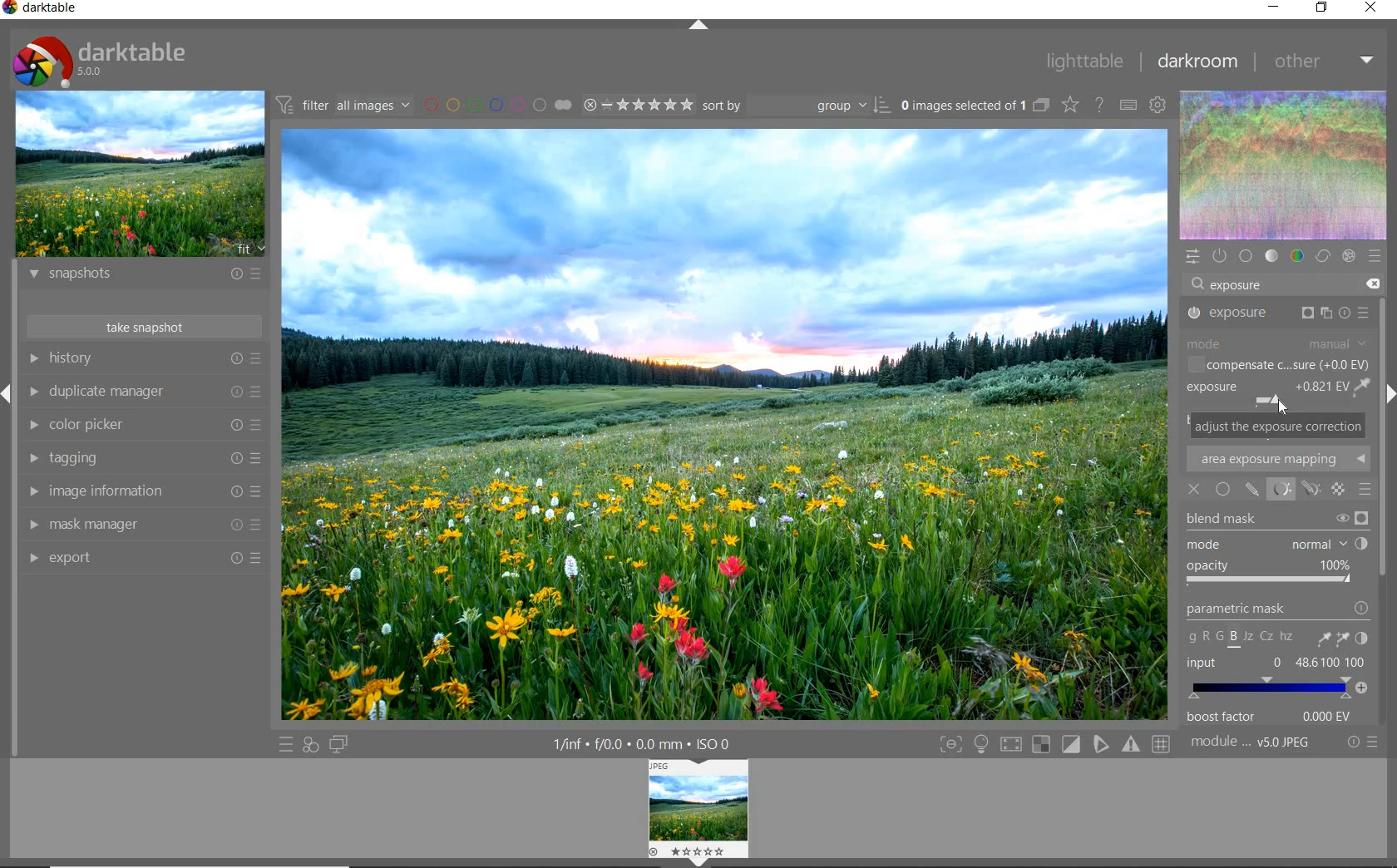 This screenshot has width=1397, height=868. What do you see at coordinates (496, 105) in the screenshot?
I see `filter by image color` at bounding box center [496, 105].